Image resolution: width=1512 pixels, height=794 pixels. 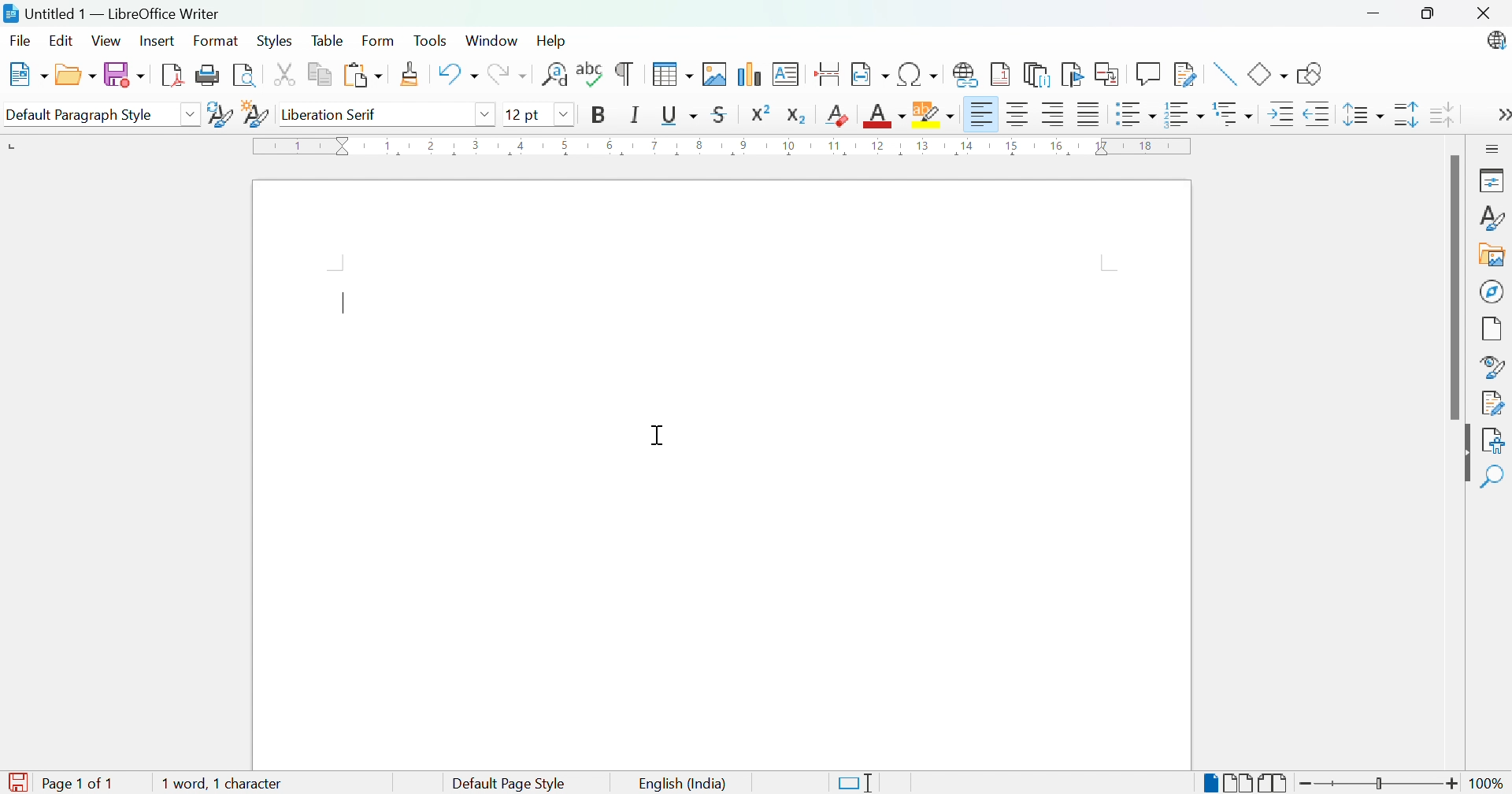 What do you see at coordinates (1135, 116) in the screenshot?
I see `Toggle unordered list` at bounding box center [1135, 116].